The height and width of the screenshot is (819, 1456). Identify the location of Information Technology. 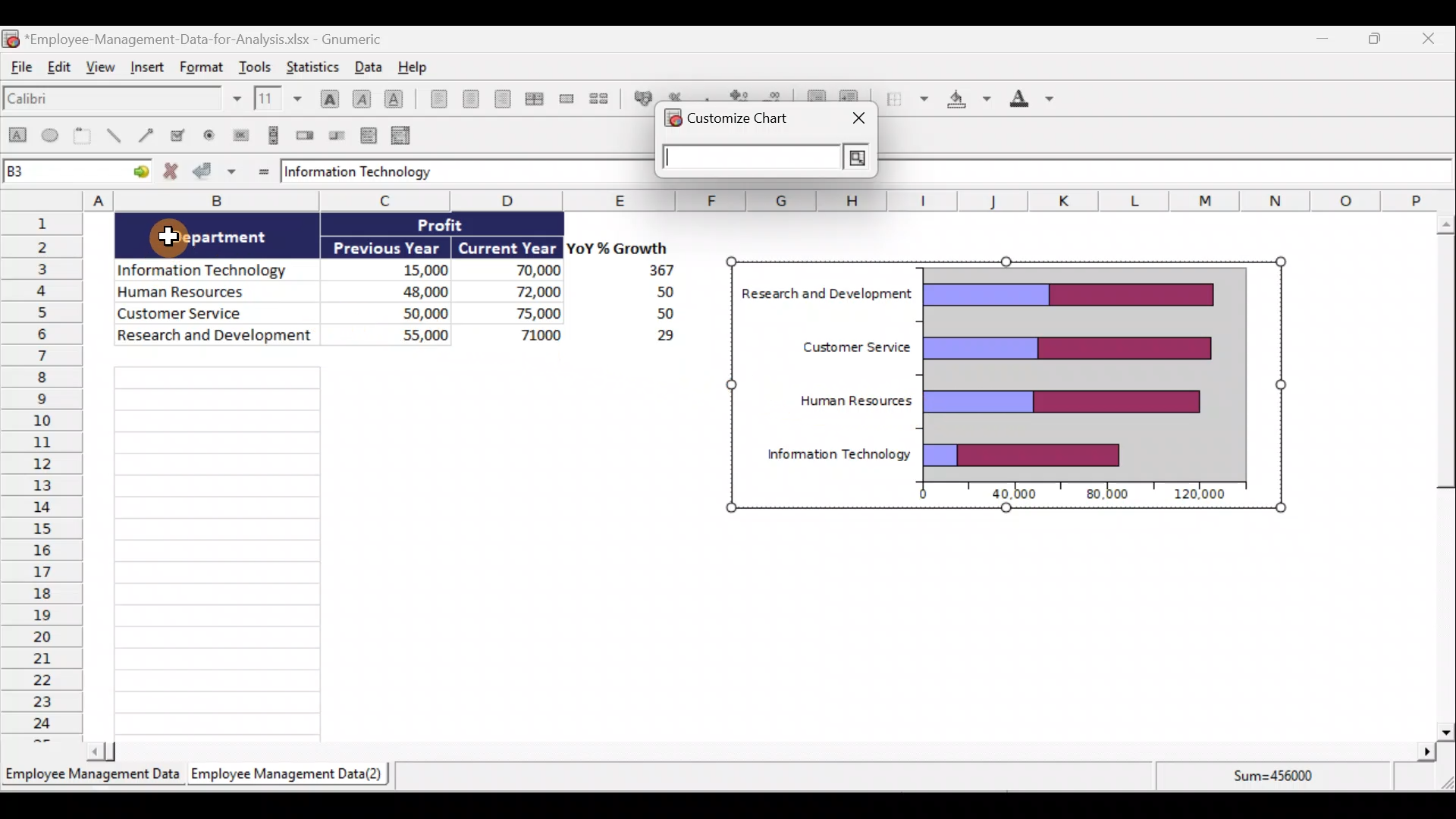
(209, 266).